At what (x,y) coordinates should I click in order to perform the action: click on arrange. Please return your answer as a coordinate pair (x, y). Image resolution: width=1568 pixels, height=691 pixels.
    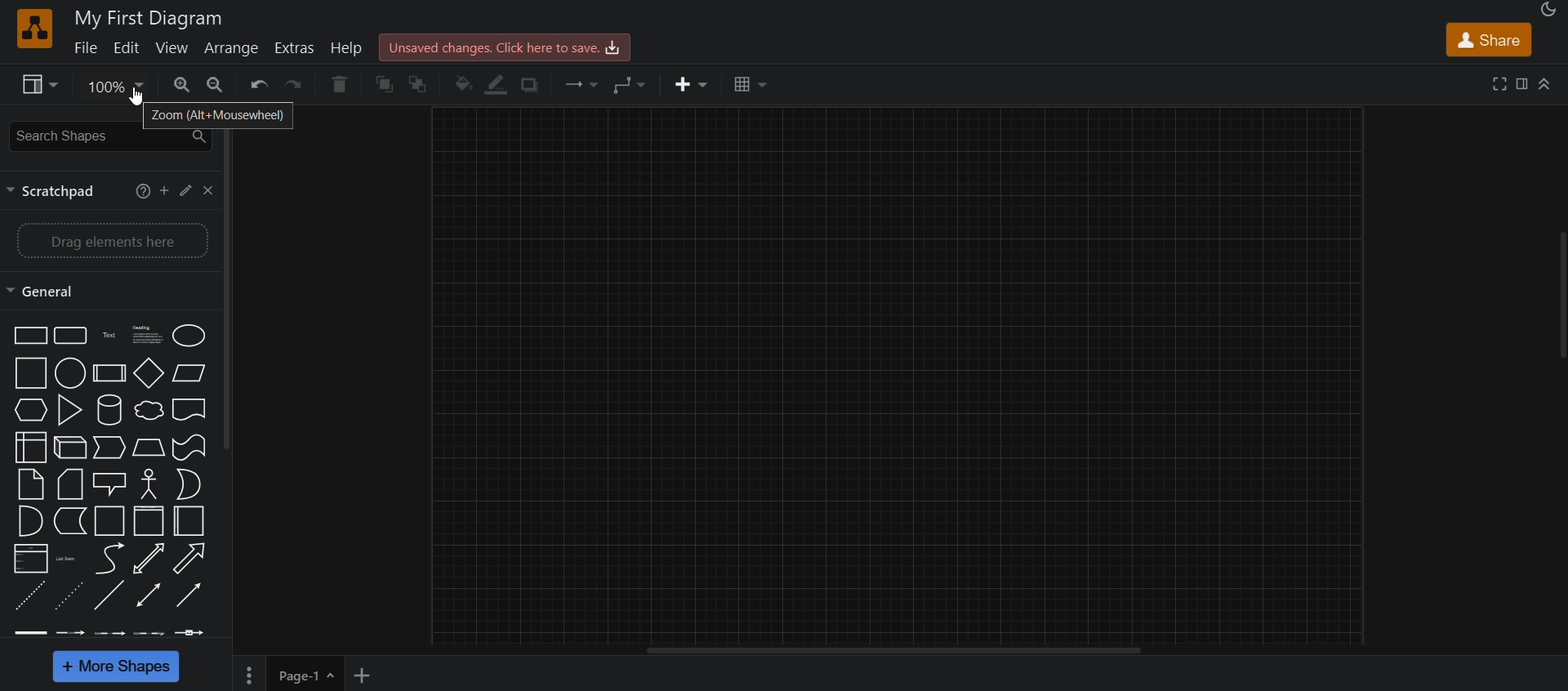
    Looking at the image, I should click on (232, 47).